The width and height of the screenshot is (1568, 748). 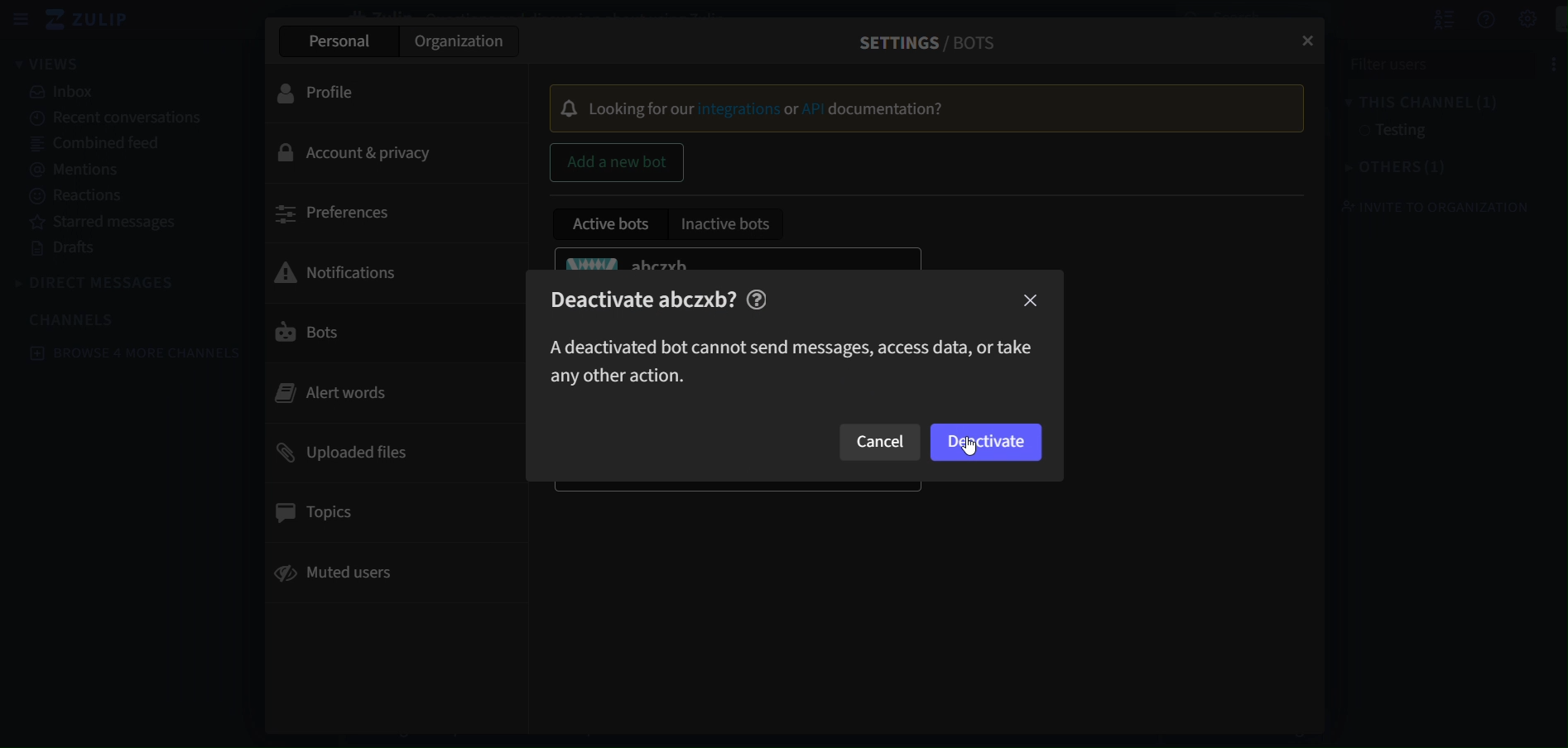 What do you see at coordinates (345, 41) in the screenshot?
I see `personal` at bounding box center [345, 41].